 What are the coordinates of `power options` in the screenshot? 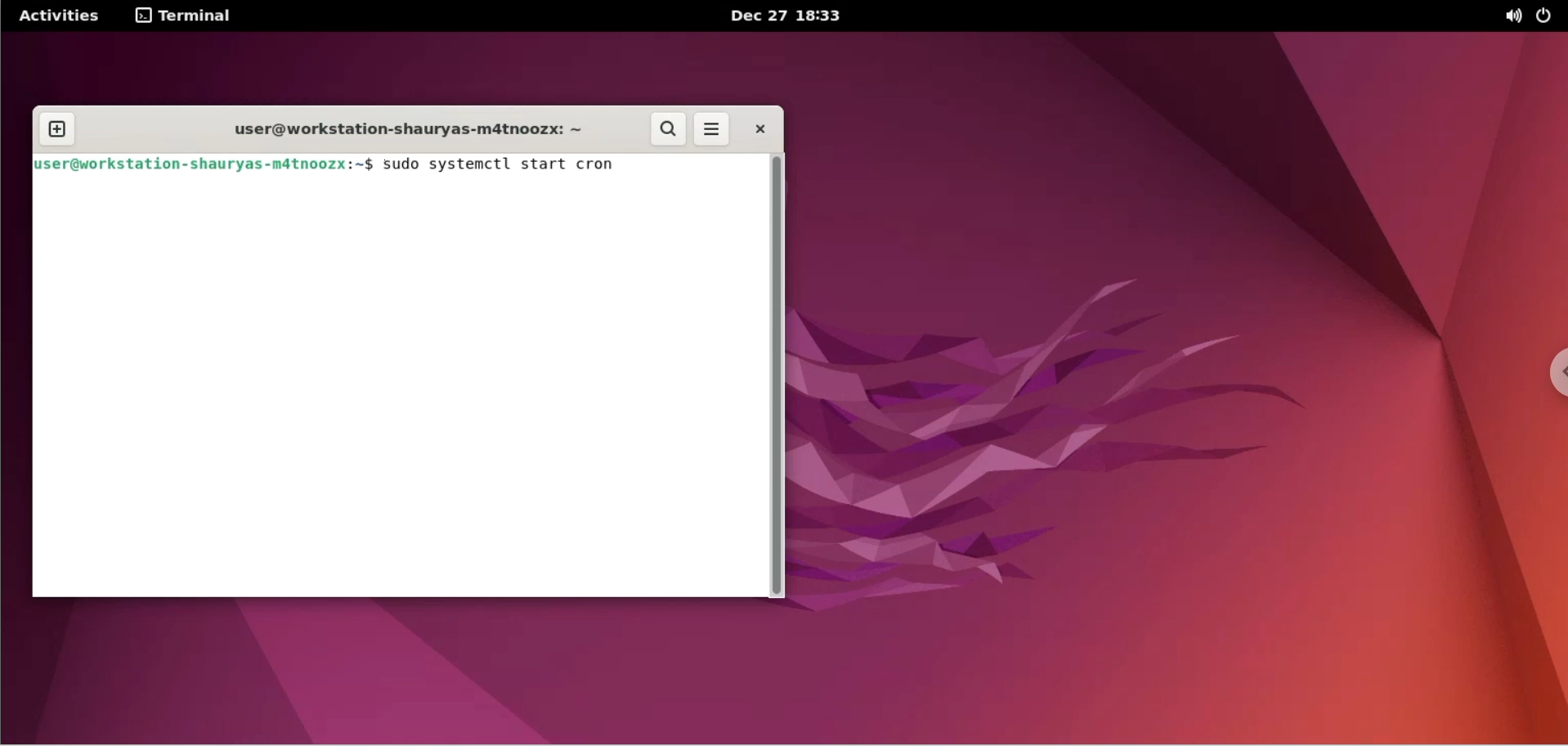 It's located at (1548, 16).